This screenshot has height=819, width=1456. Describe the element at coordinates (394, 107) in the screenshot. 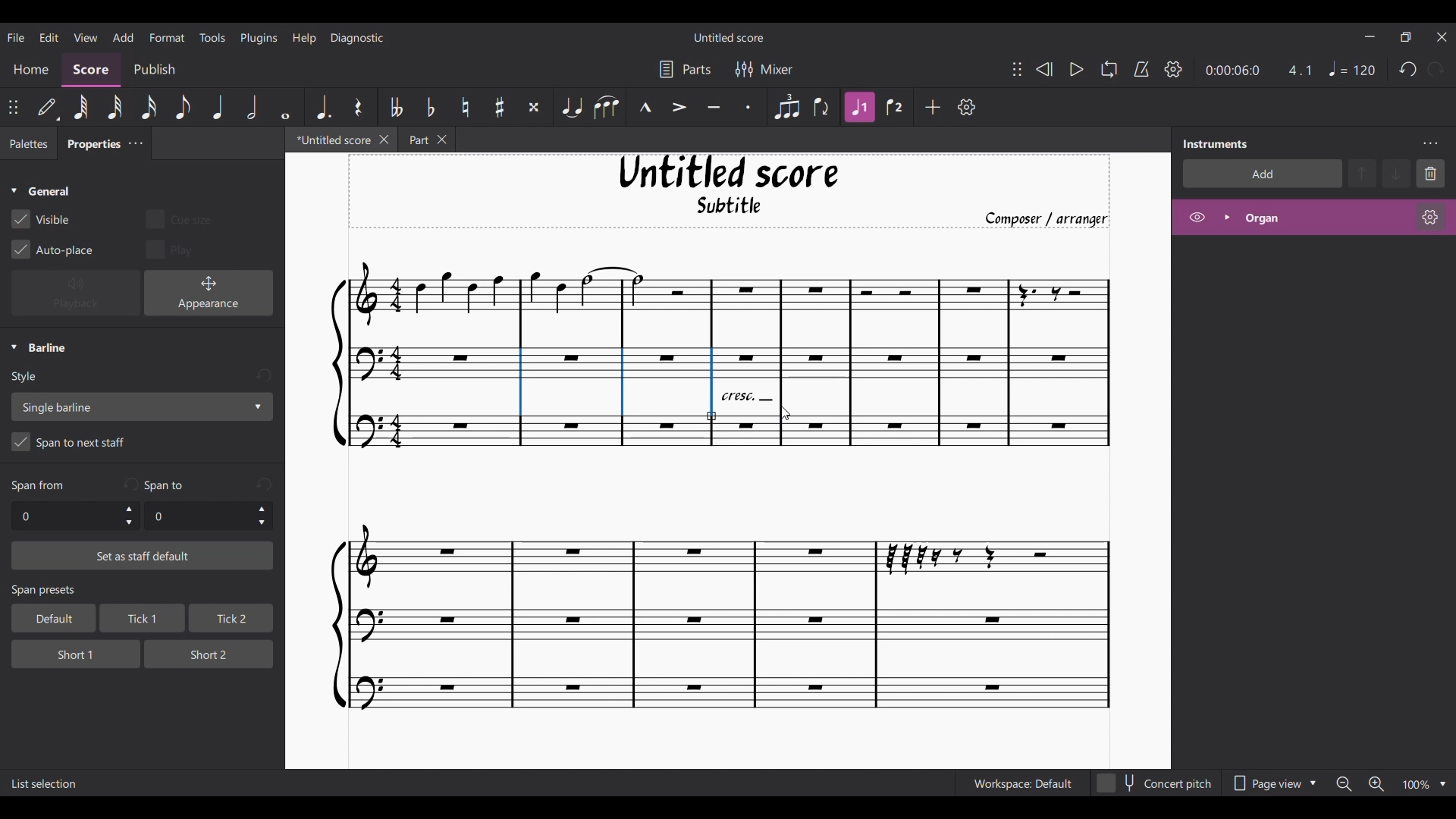

I see `Toggle double flat` at that location.